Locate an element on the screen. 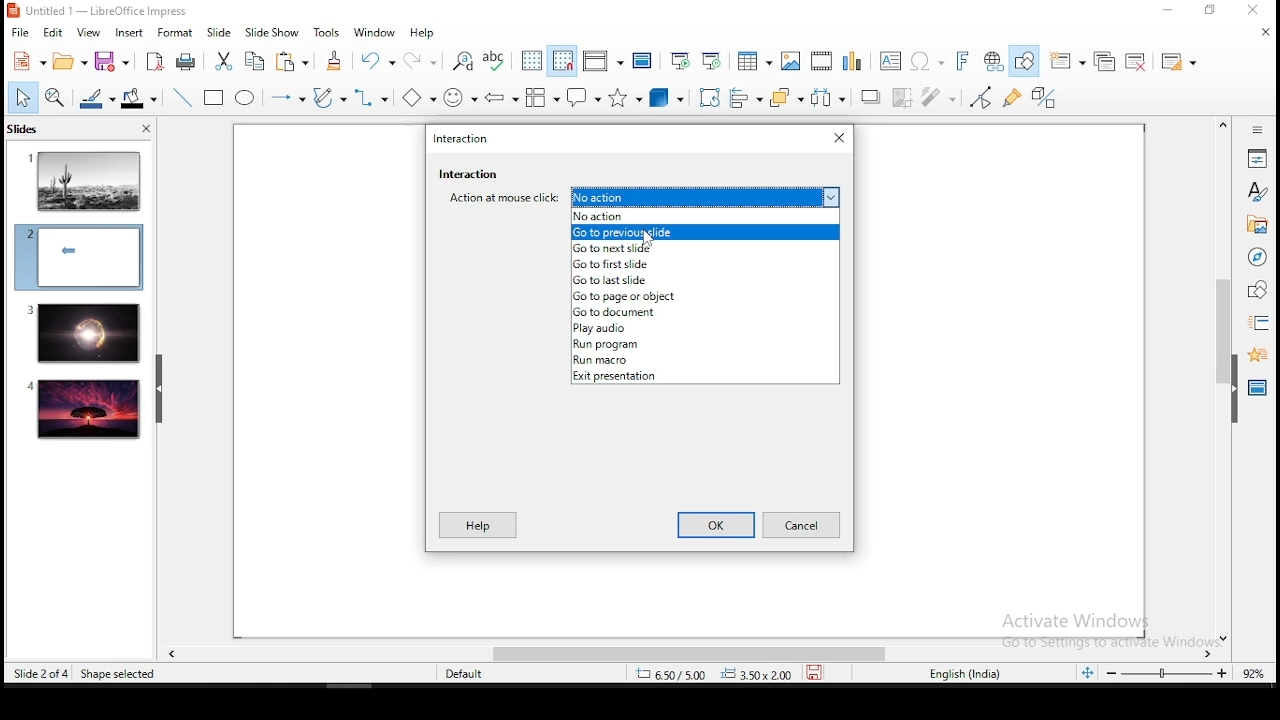  fontwork text is located at coordinates (961, 62).